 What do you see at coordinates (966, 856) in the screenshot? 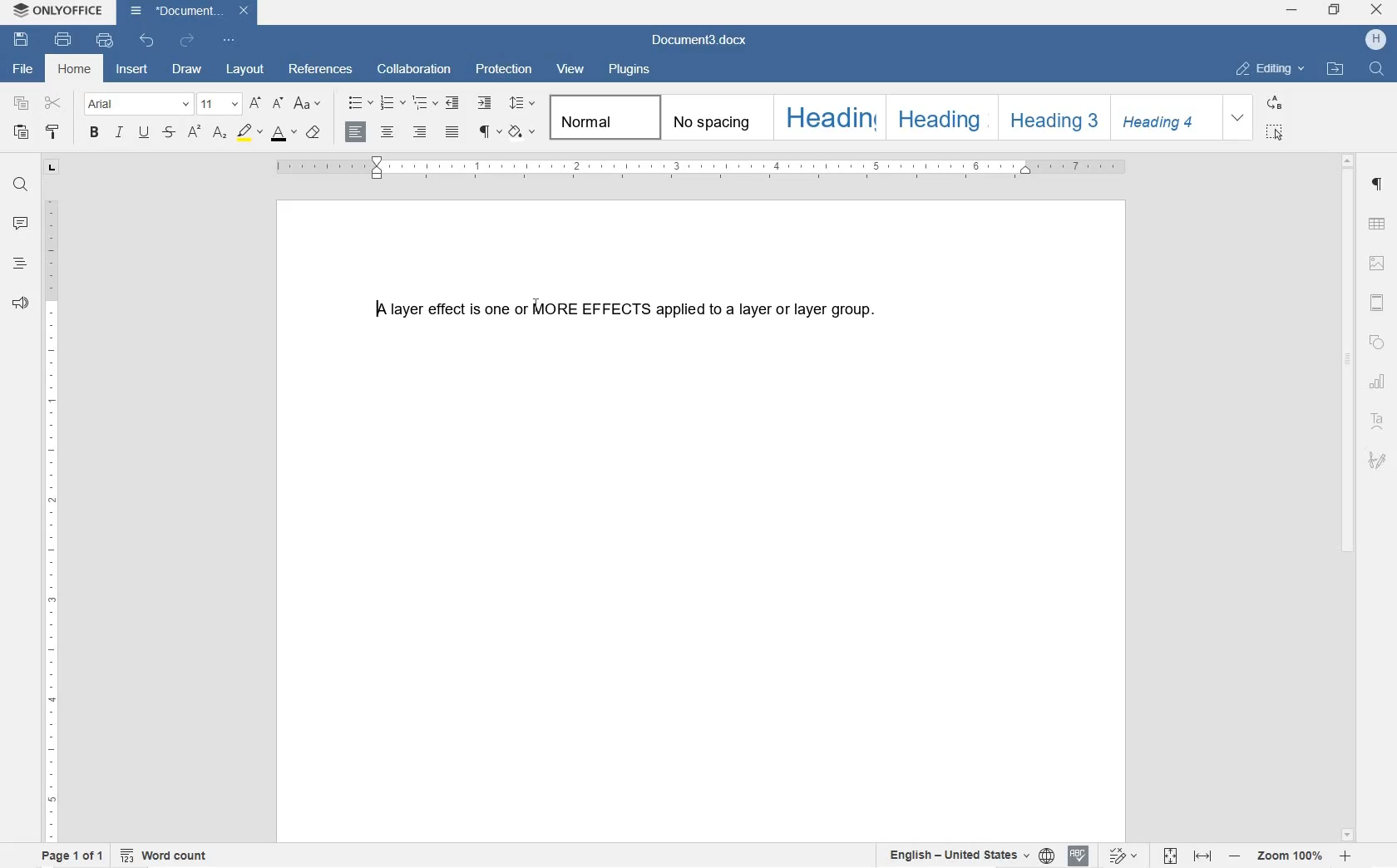
I see `SET TEXT OR DOCUMENT LANGUAGE` at bounding box center [966, 856].